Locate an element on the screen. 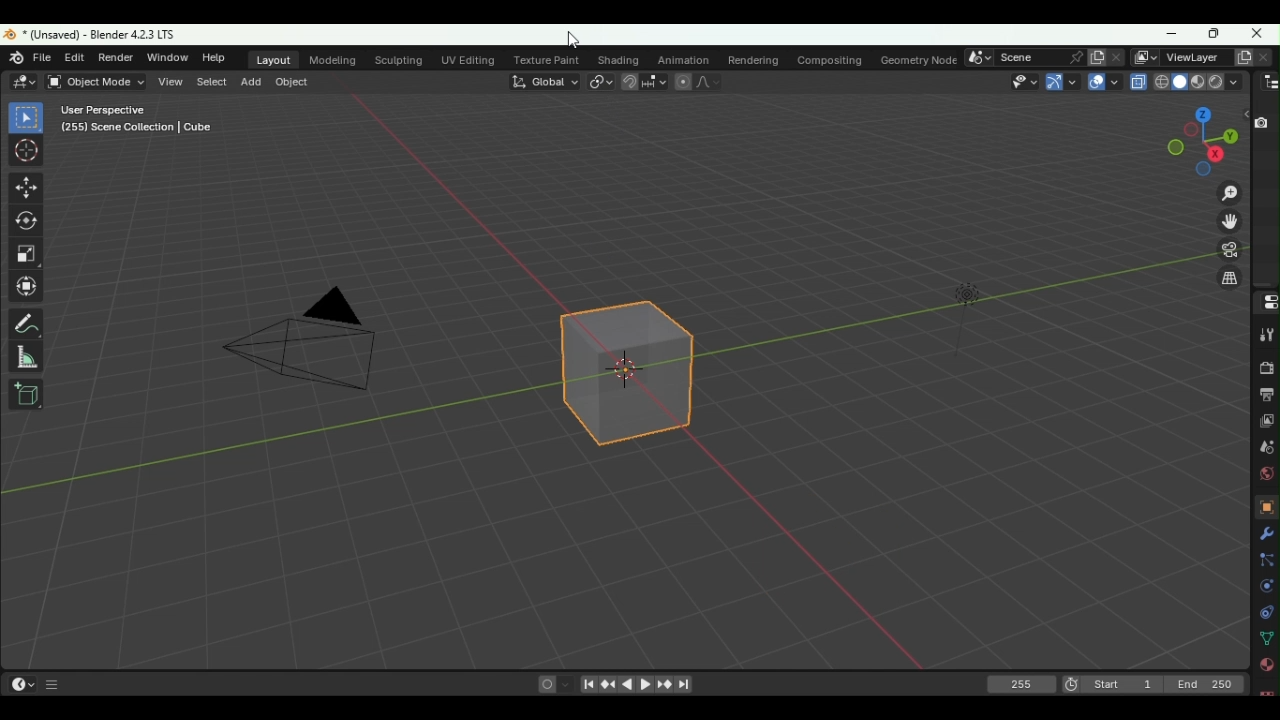  Rotate is located at coordinates (29, 222).